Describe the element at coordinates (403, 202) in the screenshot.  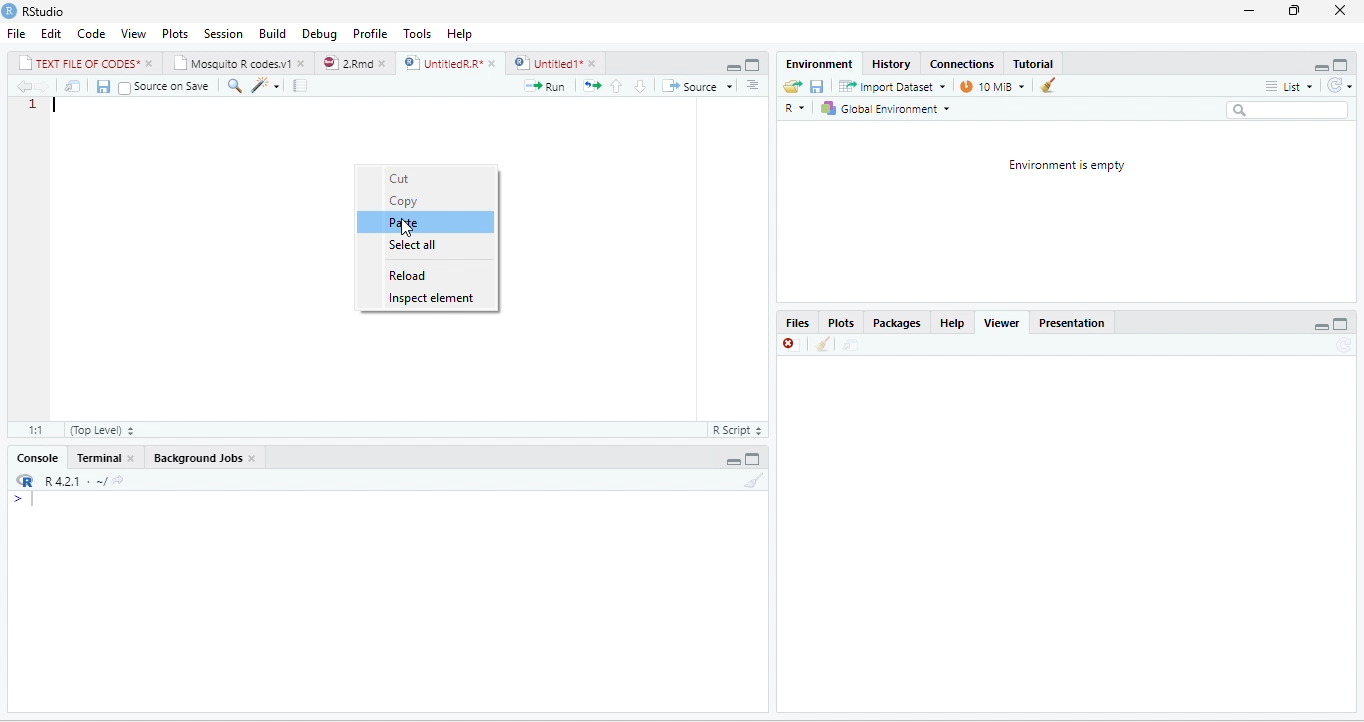
I see `copy` at that location.